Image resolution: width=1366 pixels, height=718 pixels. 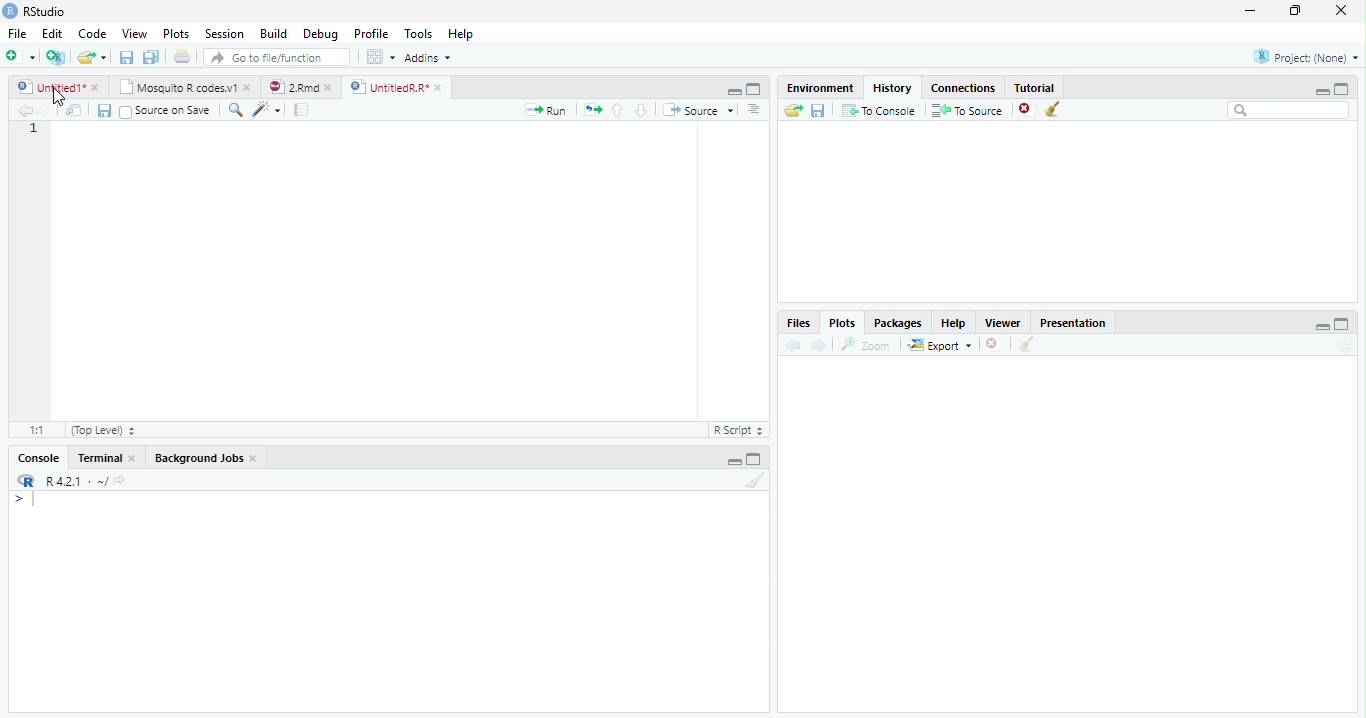 What do you see at coordinates (299, 85) in the screenshot?
I see `2Rmd` at bounding box center [299, 85].